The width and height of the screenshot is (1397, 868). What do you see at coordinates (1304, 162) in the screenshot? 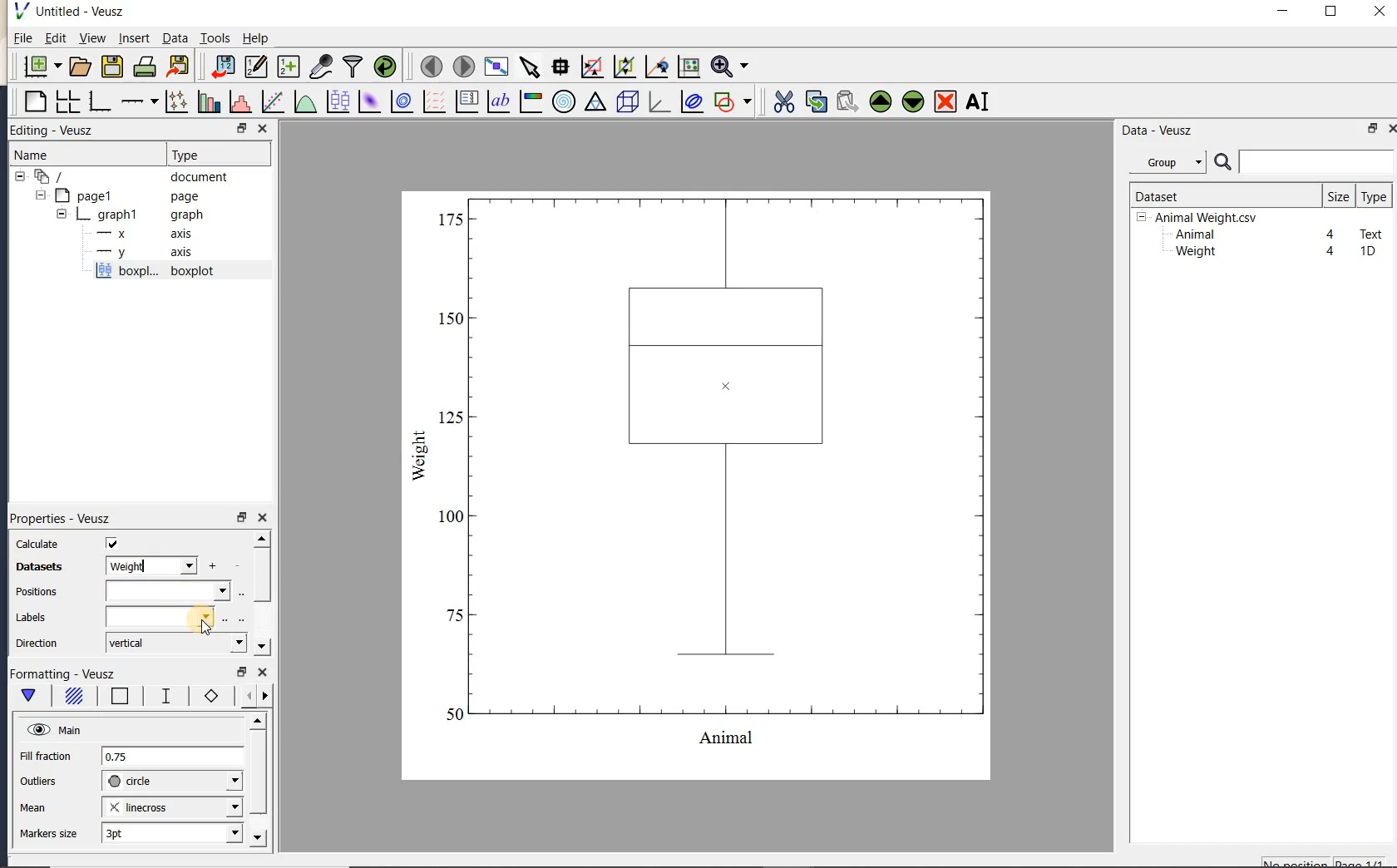
I see `search datasets` at bounding box center [1304, 162].